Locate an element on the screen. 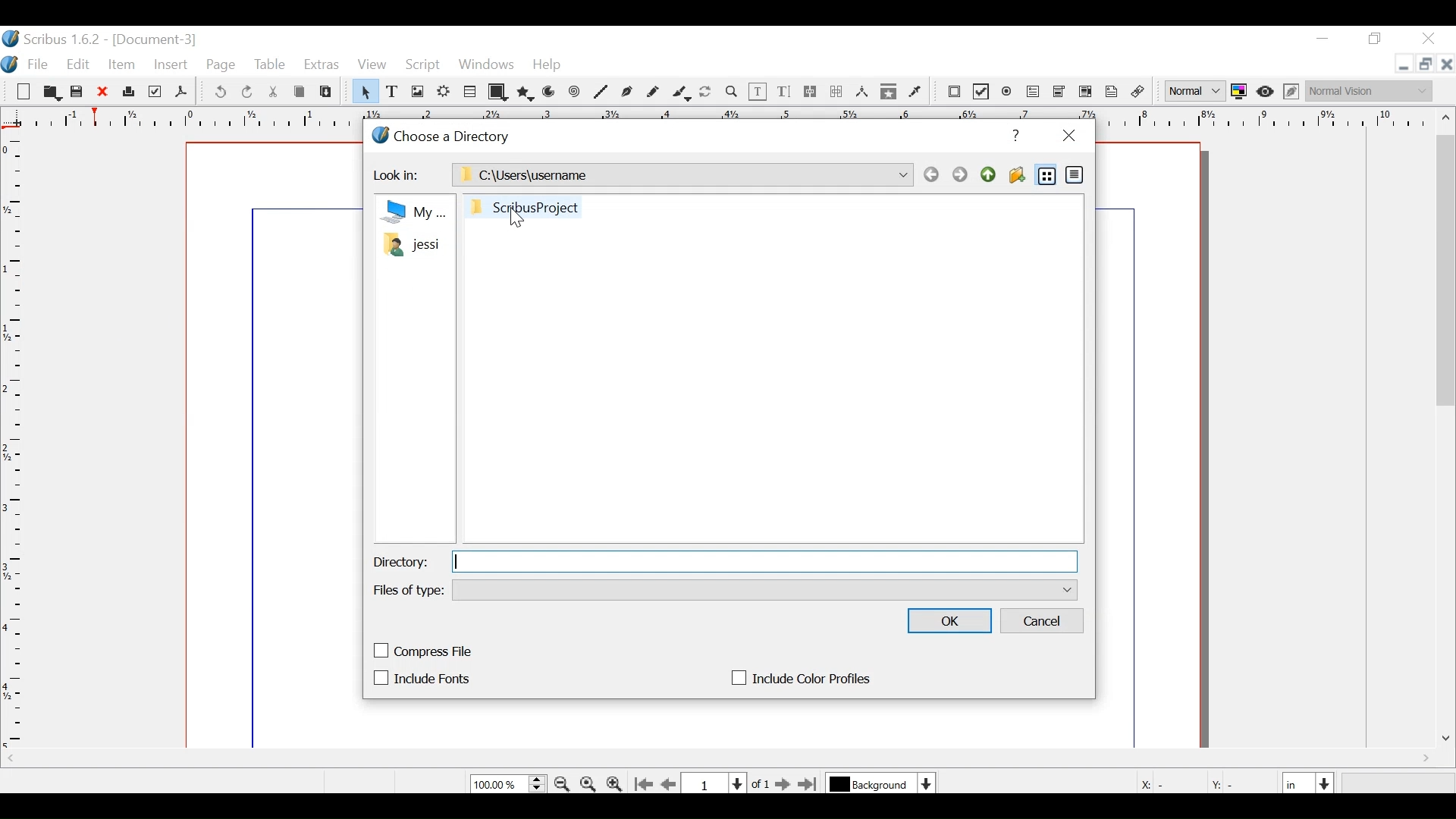 The width and height of the screenshot is (1456, 819). PDF List Box is located at coordinates (1087, 93).